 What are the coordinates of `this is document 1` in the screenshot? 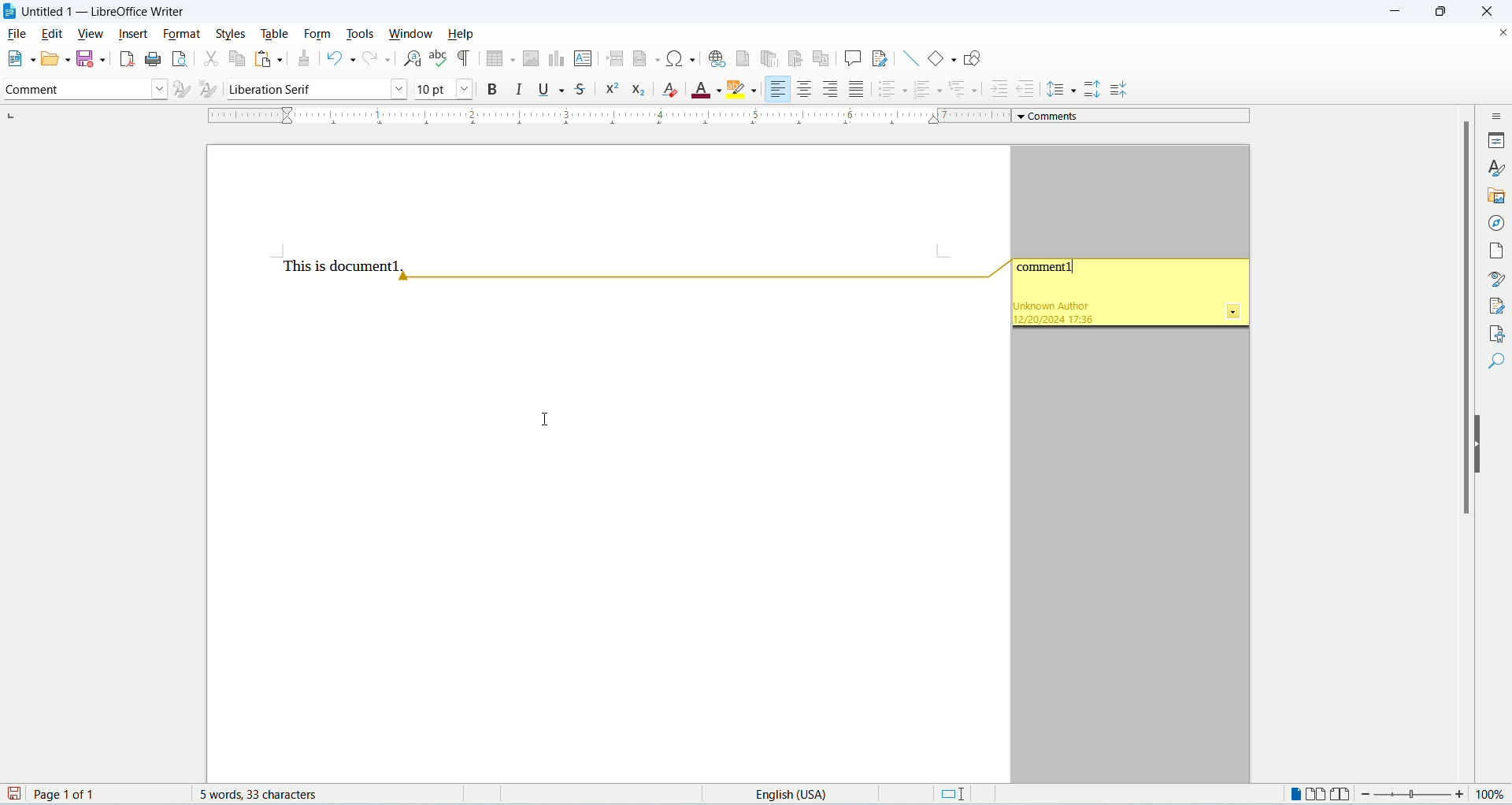 It's located at (343, 265).